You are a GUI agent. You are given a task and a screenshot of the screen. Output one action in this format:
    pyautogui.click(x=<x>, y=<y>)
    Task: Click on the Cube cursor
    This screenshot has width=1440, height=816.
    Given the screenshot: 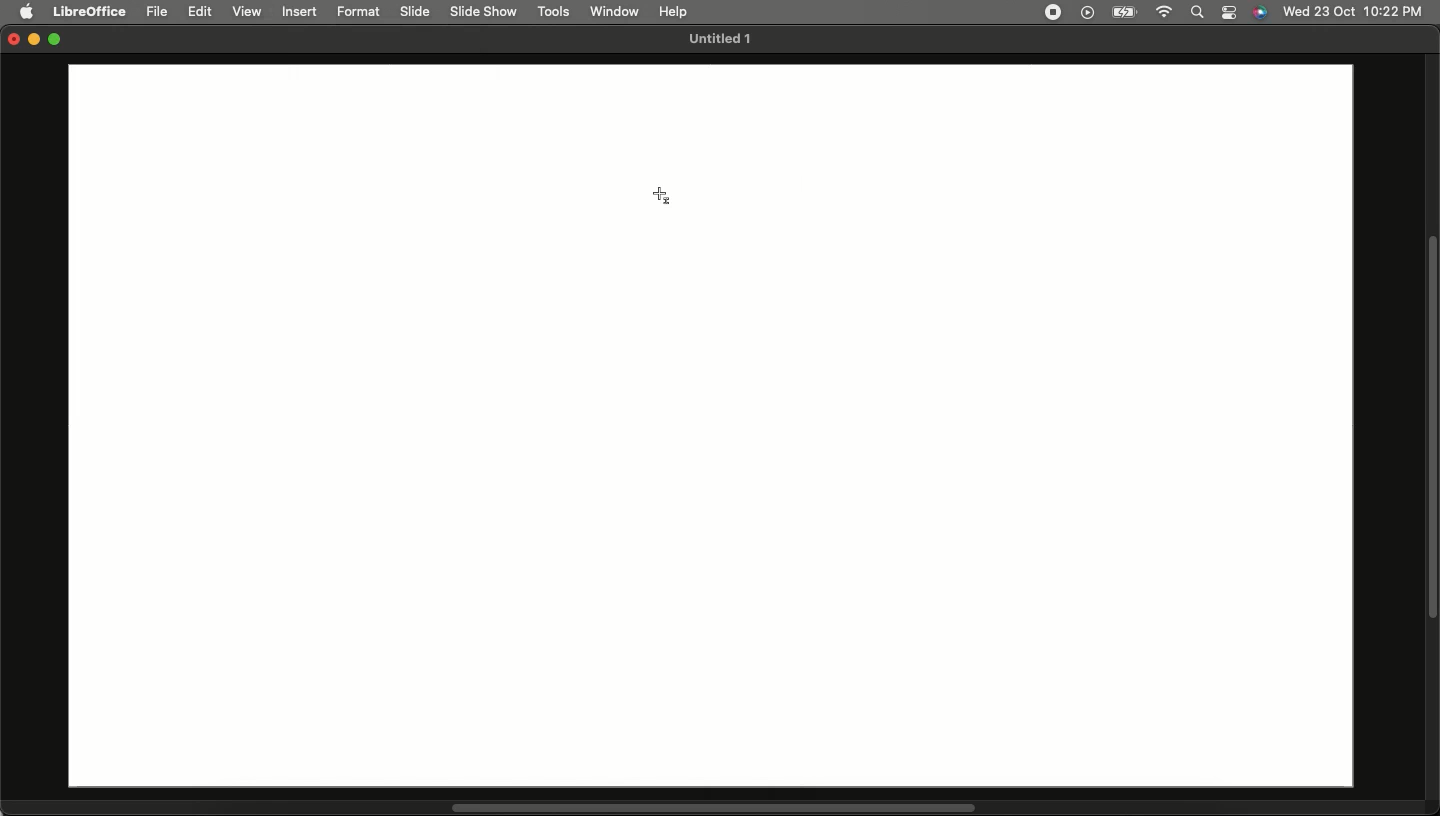 What is the action you would take?
    pyautogui.click(x=671, y=195)
    